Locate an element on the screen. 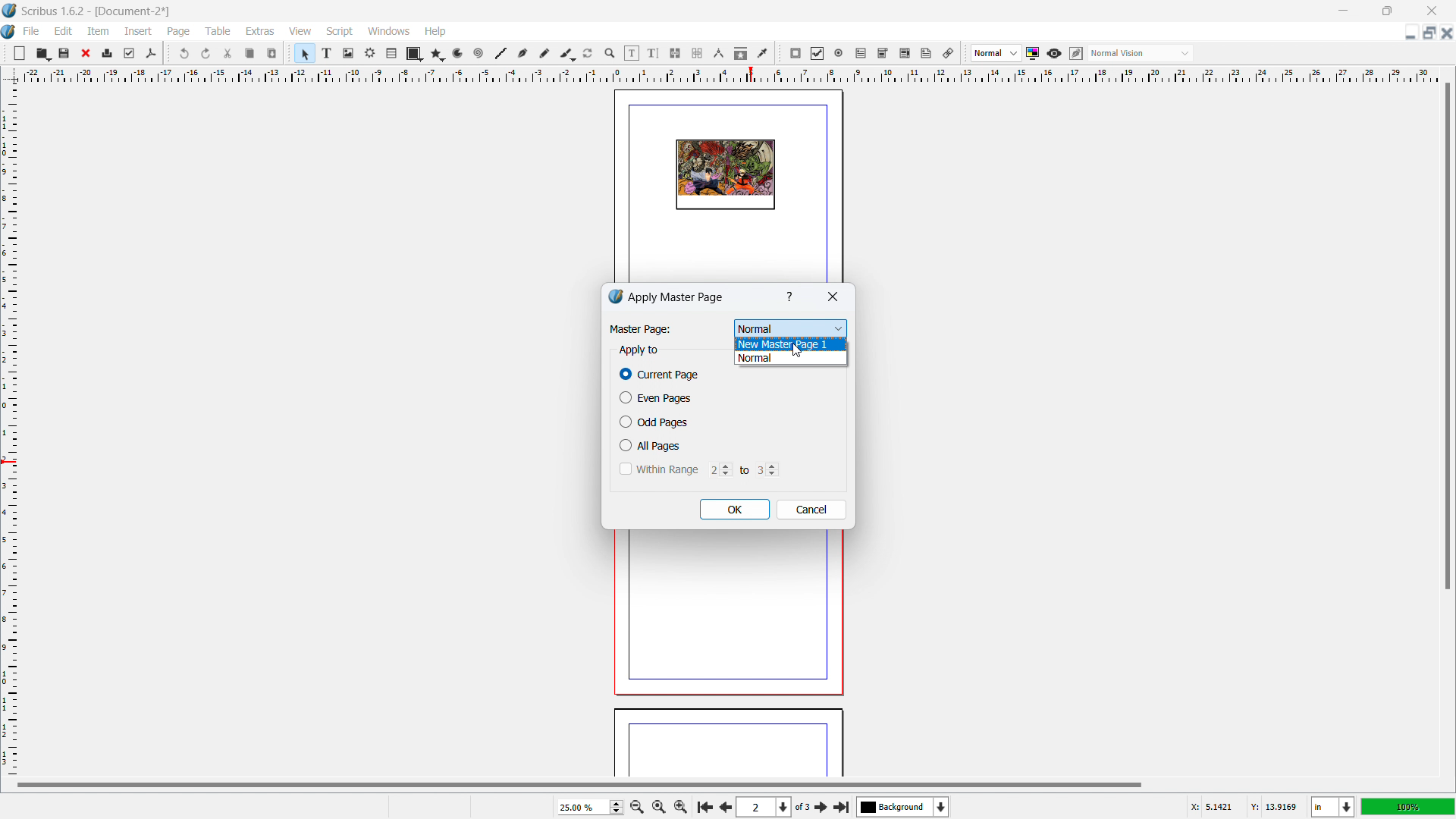 This screenshot has height=819, width=1456. text frame is located at coordinates (328, 52).